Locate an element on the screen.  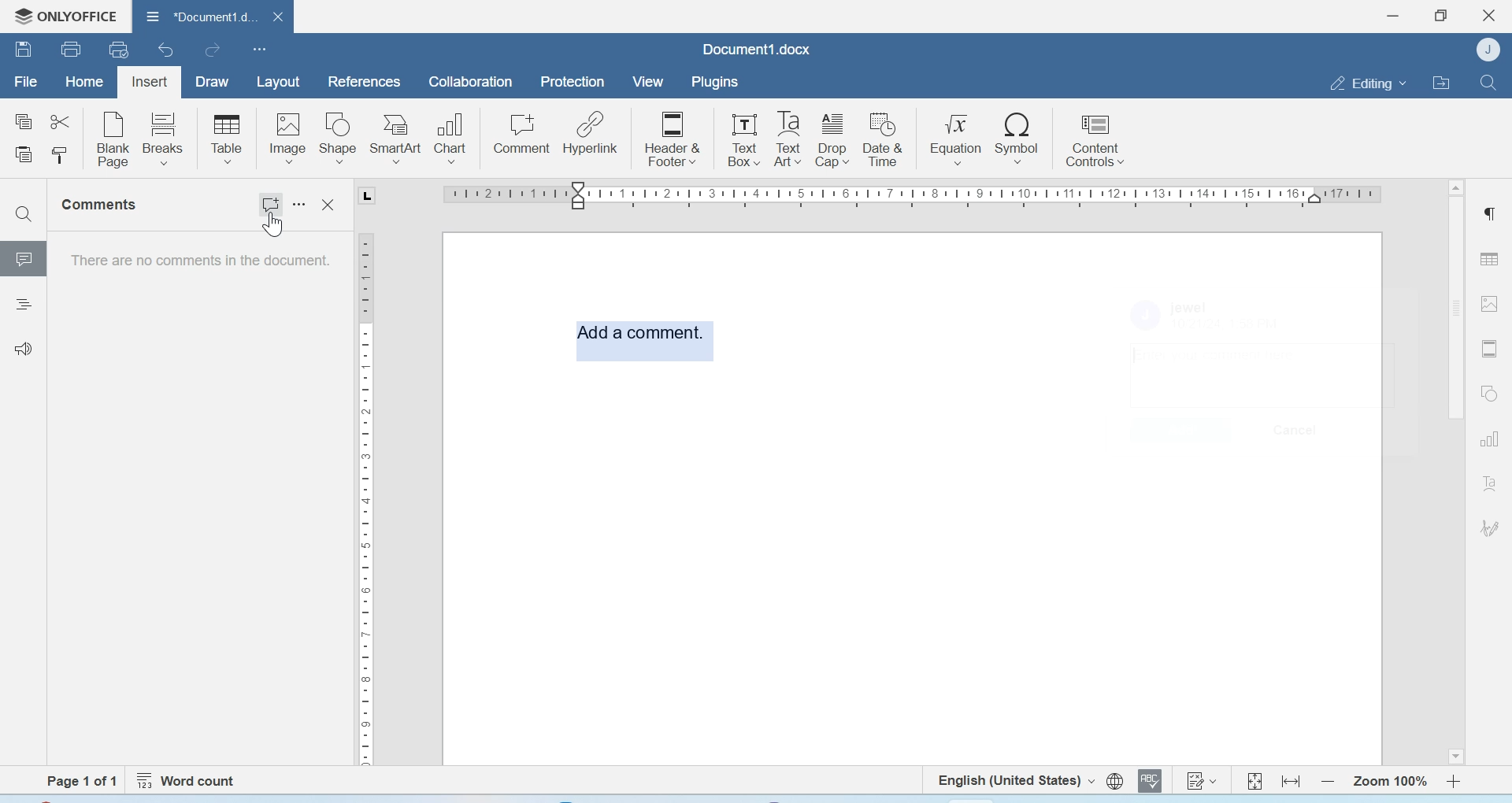
Insert is located at coordinates (149, 83).